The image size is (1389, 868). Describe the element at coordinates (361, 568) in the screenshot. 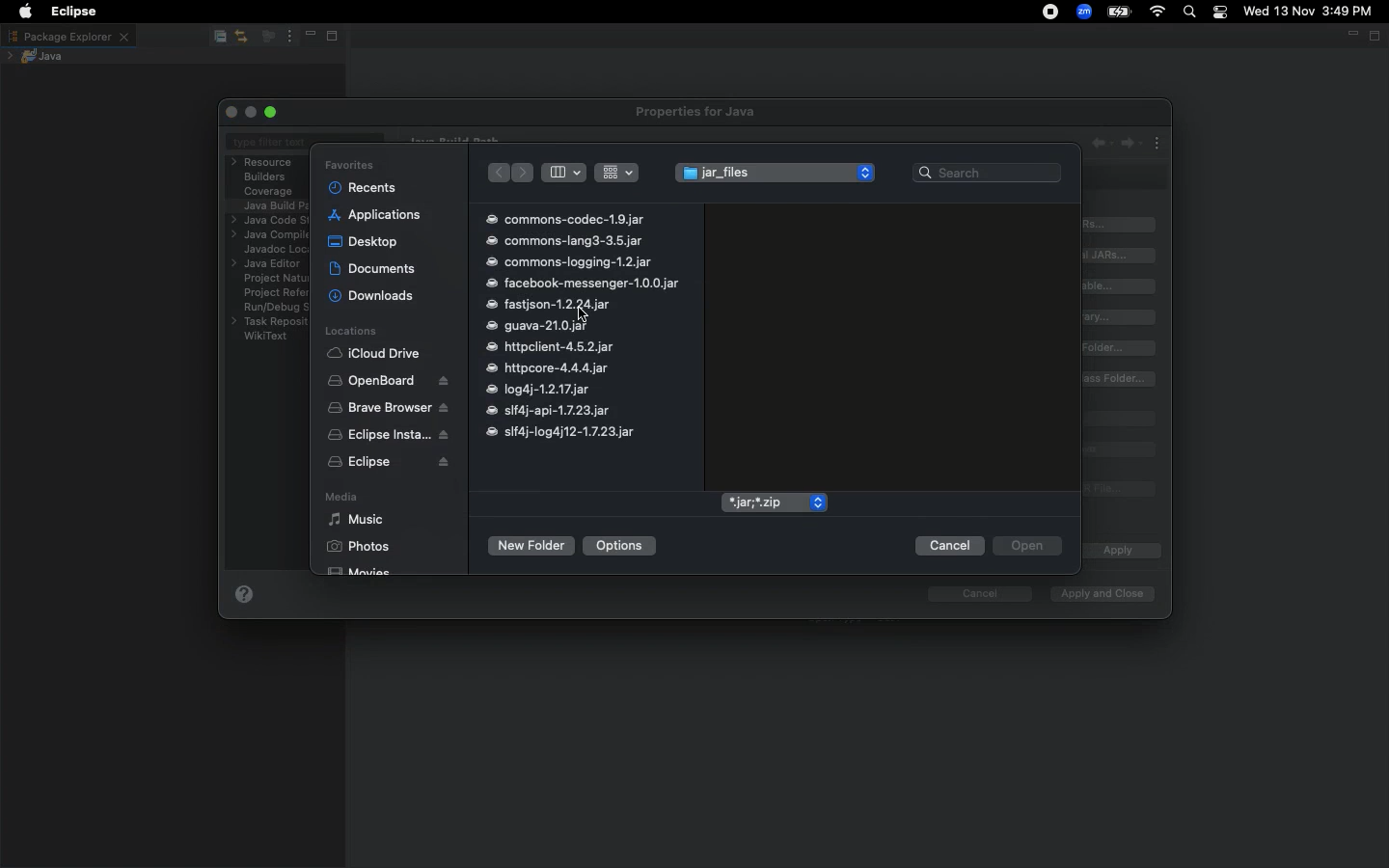

I see `Movies` at that location.